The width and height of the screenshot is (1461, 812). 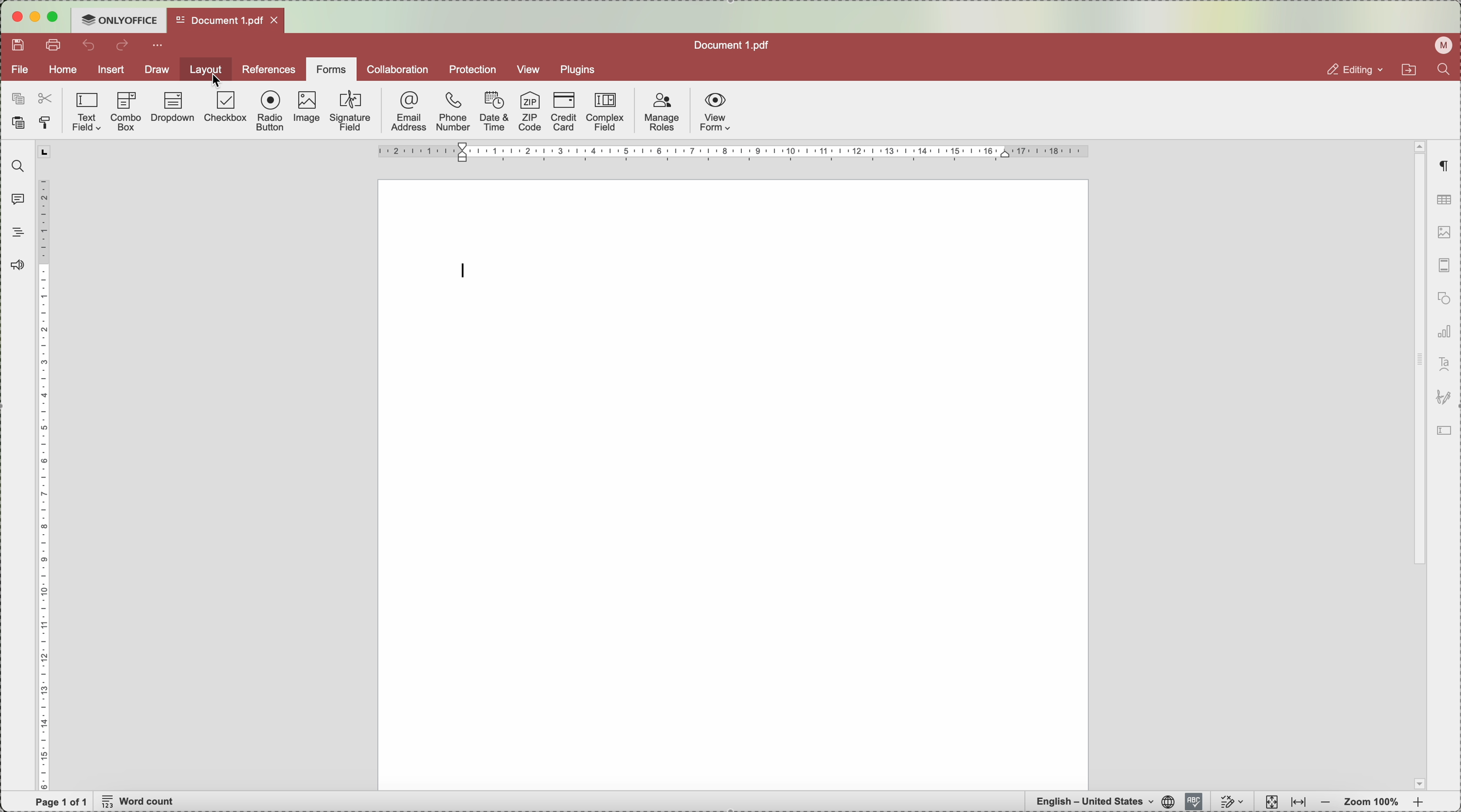 I want to click on image, so click(x=305, y=107).